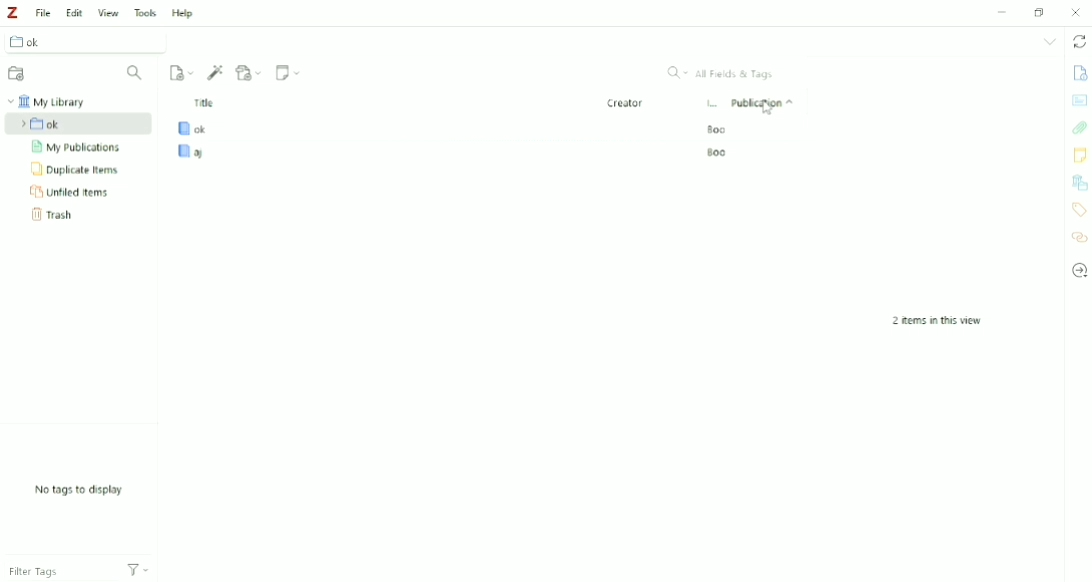 The width and height of the screenshot is (1092, 582). Describe the element at coordinates (1004, 12) in the screenshot. I see `Minimize` at that location.